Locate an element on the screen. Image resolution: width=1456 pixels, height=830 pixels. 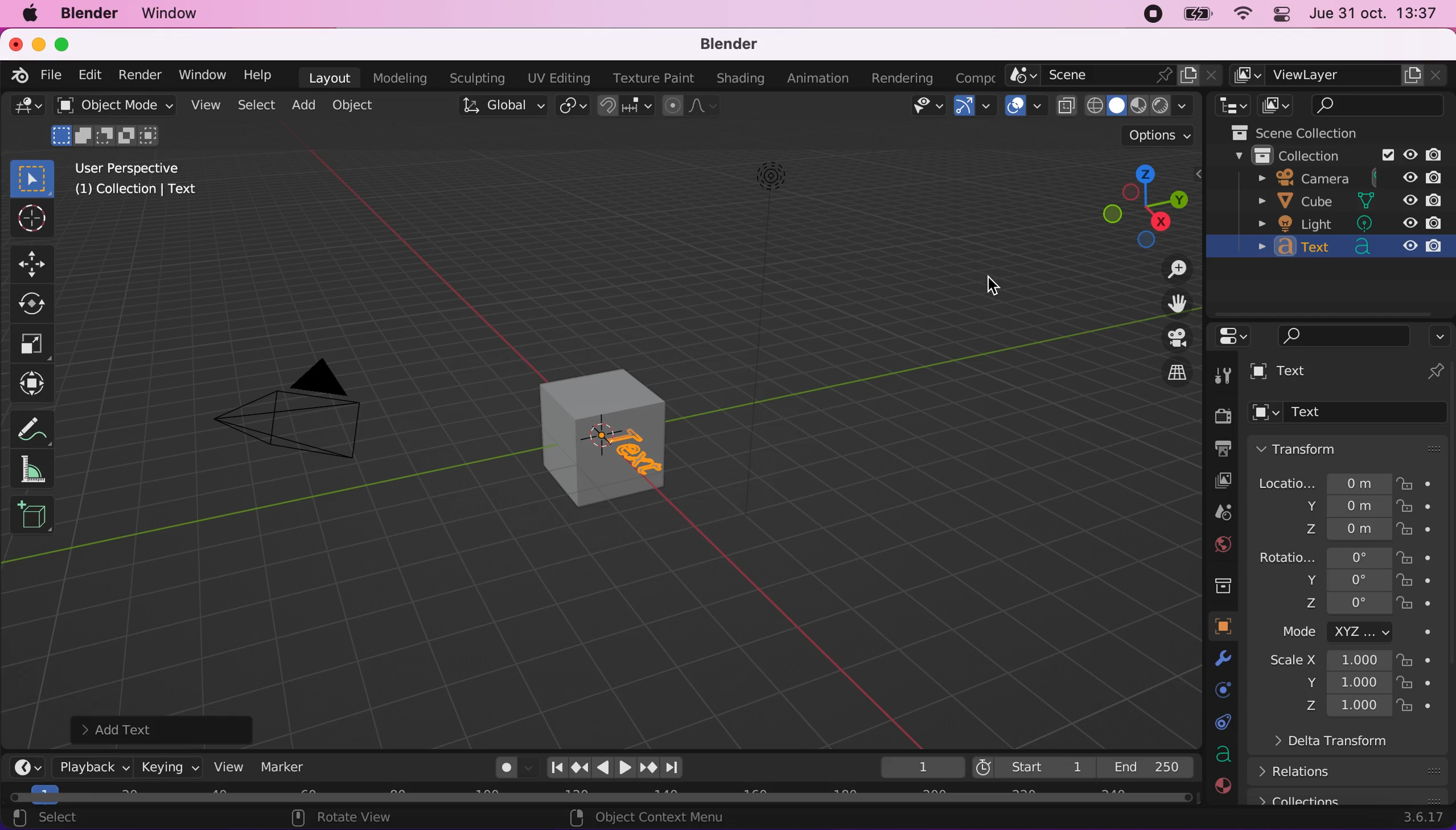
select is located at coordinates (44, 819).